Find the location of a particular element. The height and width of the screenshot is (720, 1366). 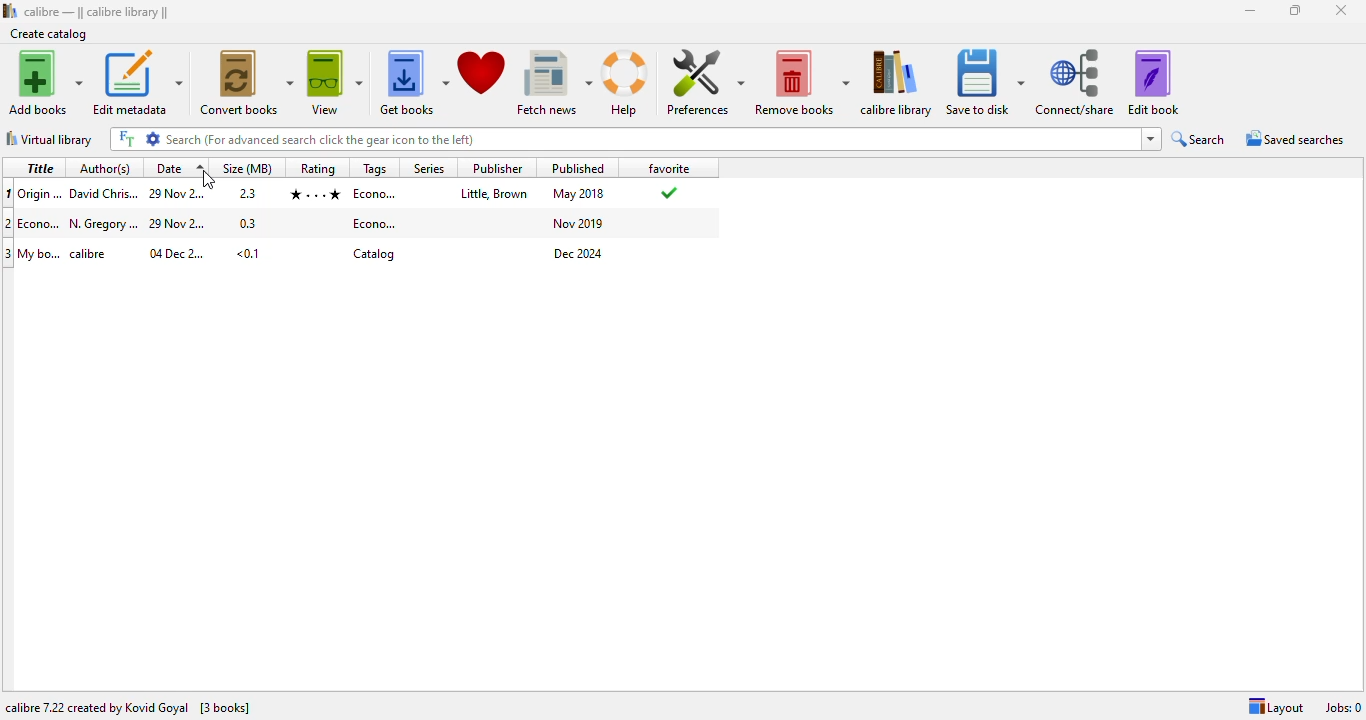

author is located at coordinates (103, 192).